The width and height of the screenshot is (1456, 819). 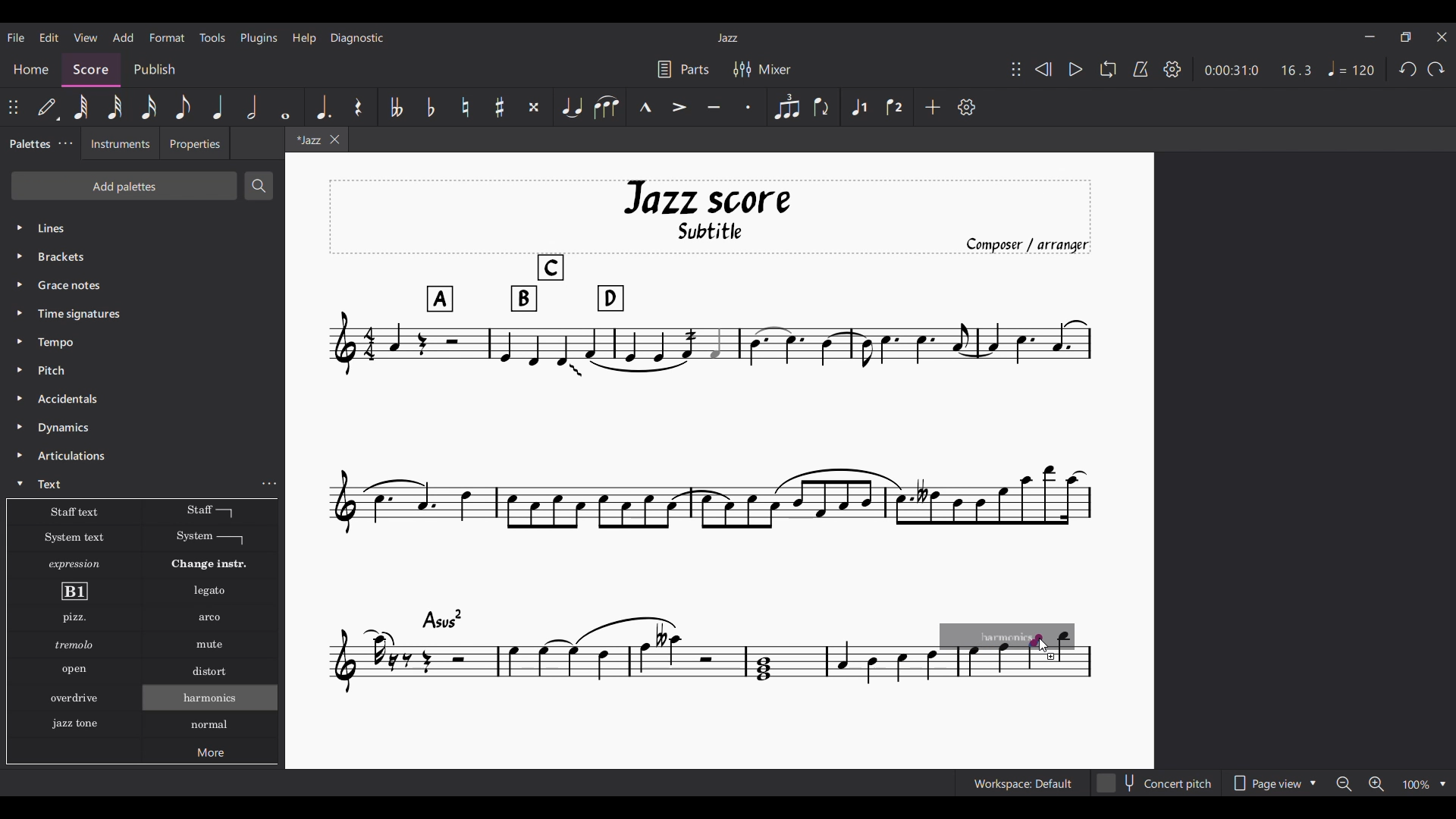 What do you see at coordinates (1141, 69) in the screenshot?
I see `Metronome` at bounding box center [1141, 69].